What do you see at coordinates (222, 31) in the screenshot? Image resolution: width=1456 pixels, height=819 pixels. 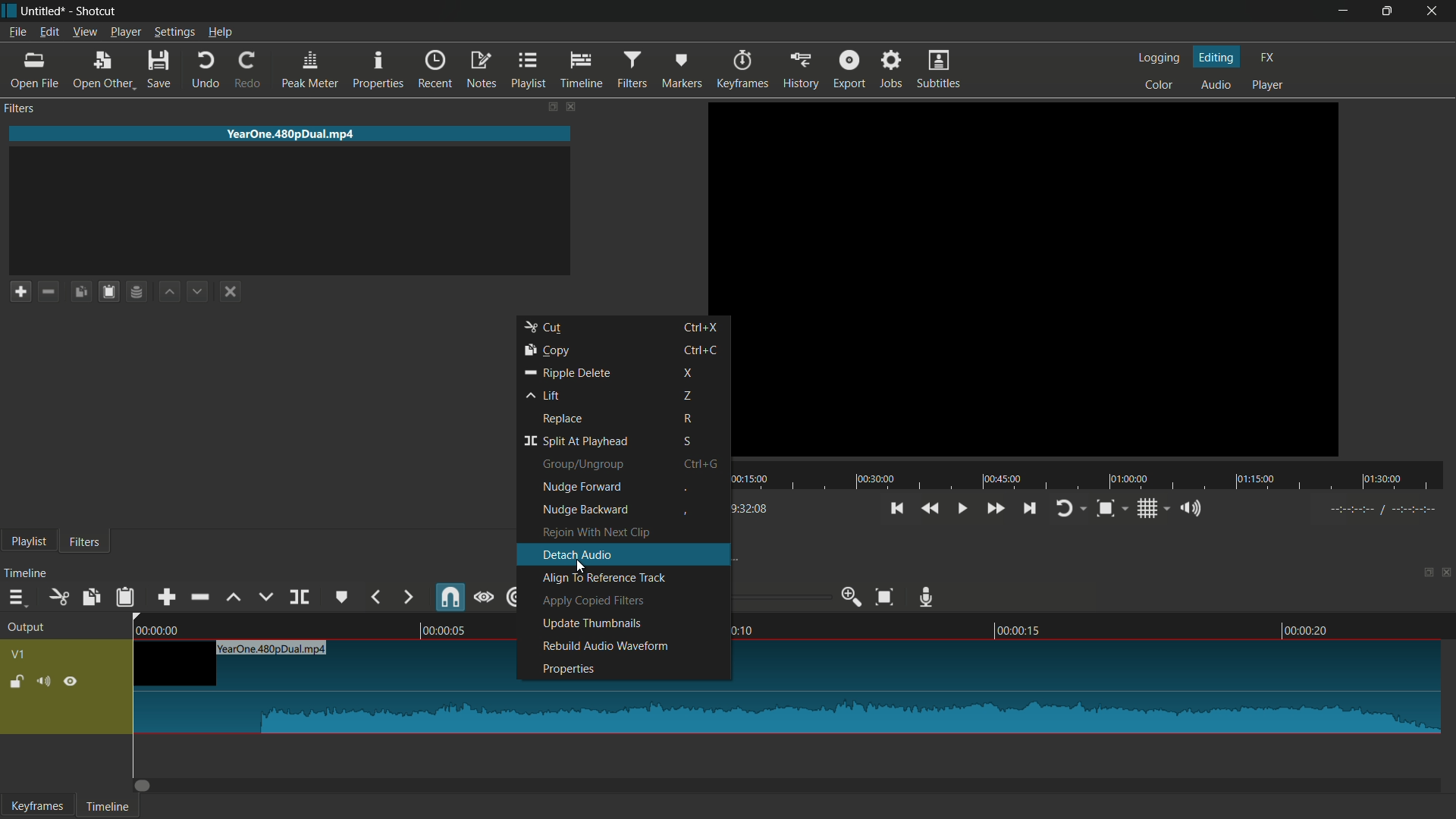 I see `help menu` at bounding box center [222, 31].